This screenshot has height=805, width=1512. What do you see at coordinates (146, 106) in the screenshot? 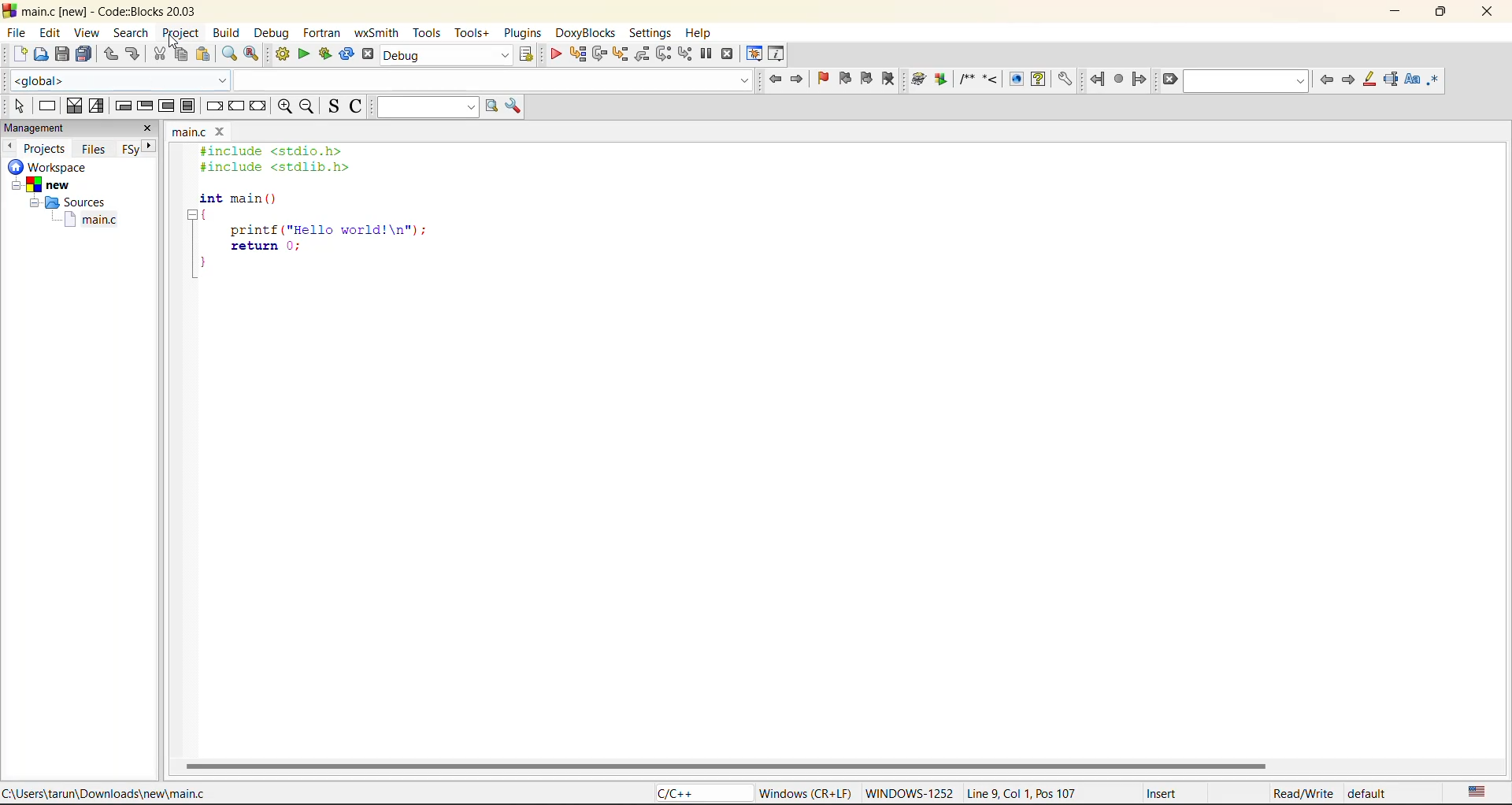
I see `exit condition loop` at bounding box center [146, 106].